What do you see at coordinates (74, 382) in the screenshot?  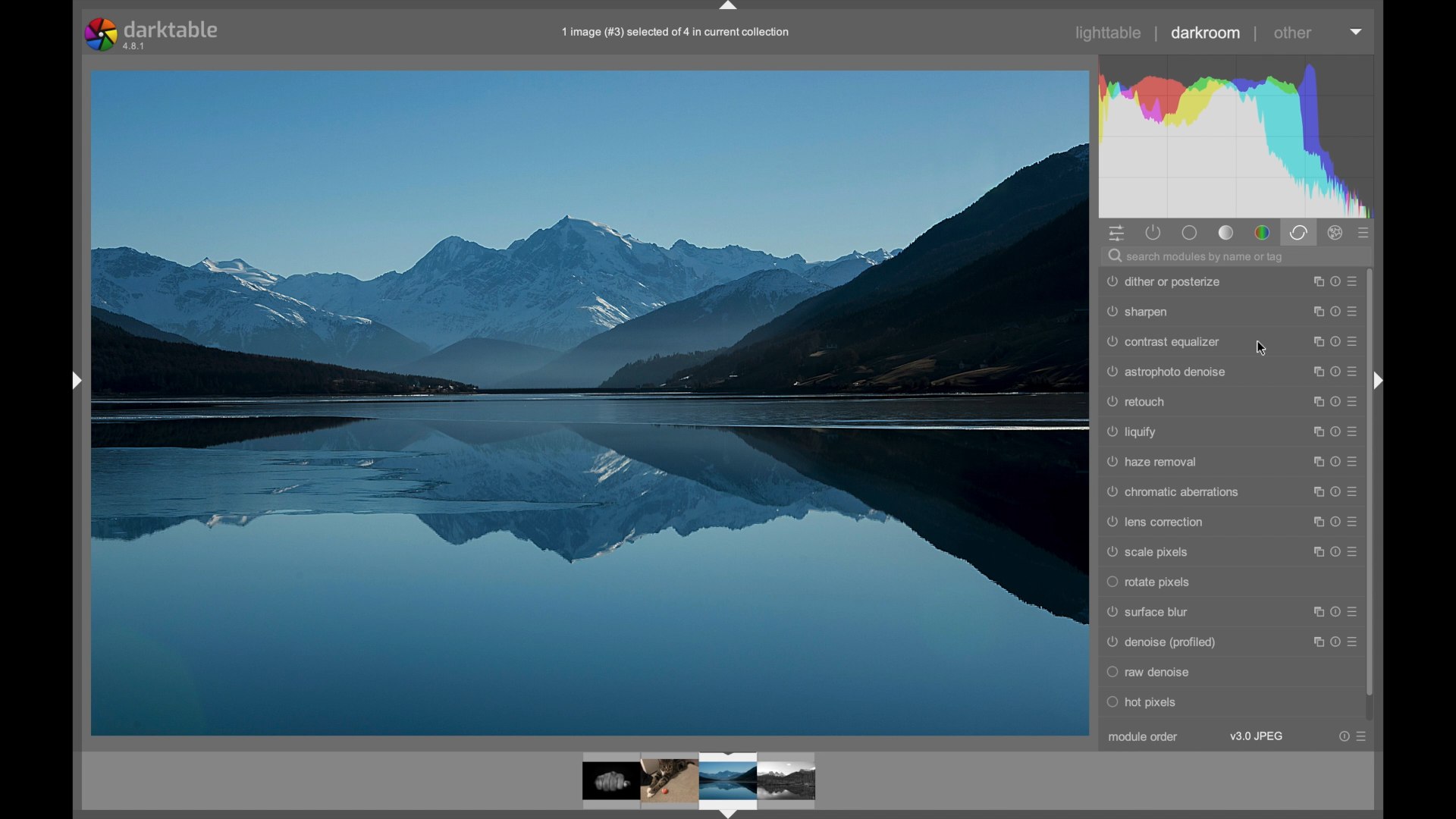 I see `drag handle` at bounding box center [74, 382].